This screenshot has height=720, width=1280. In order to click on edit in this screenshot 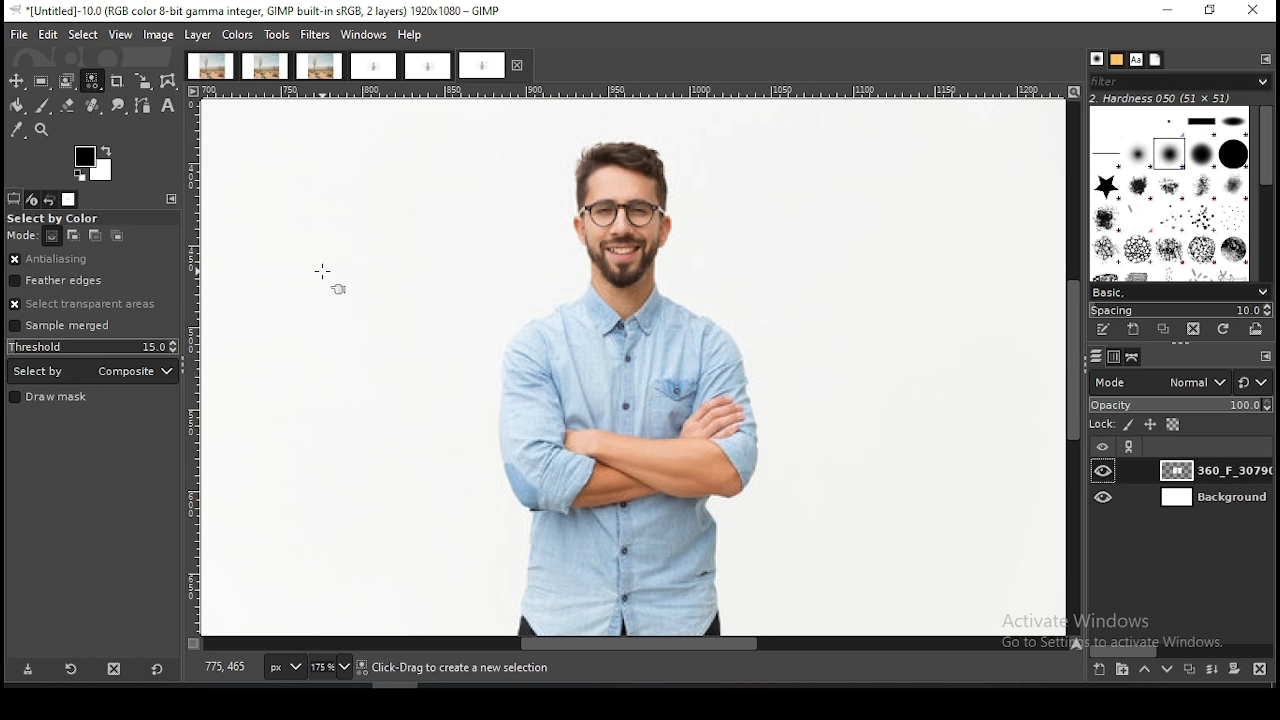, I will do `click(49, 34)`.